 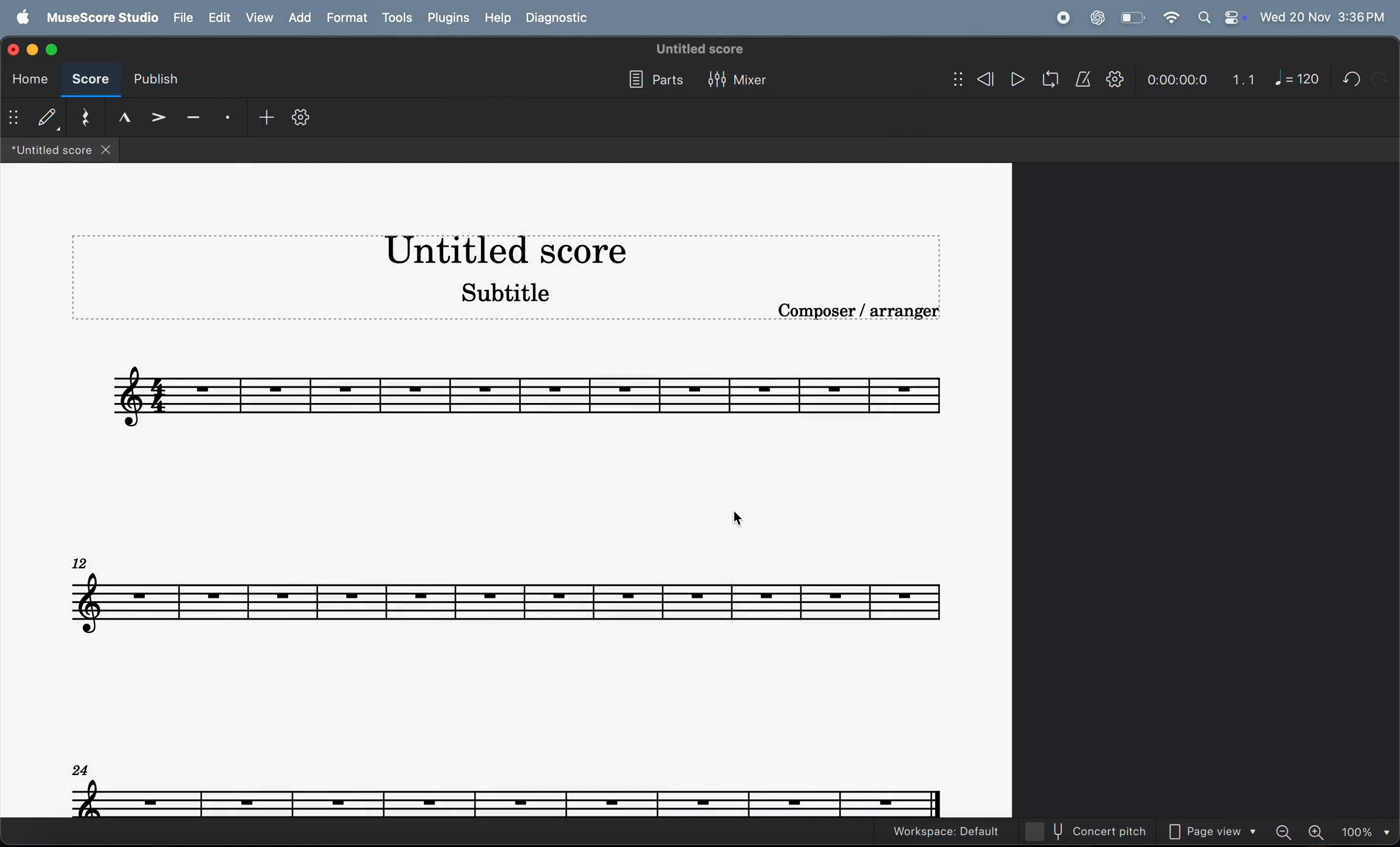 What do you see at coordinates (652, 81) in the screenshot?
I see `parts` at bounding box center [652, 81].